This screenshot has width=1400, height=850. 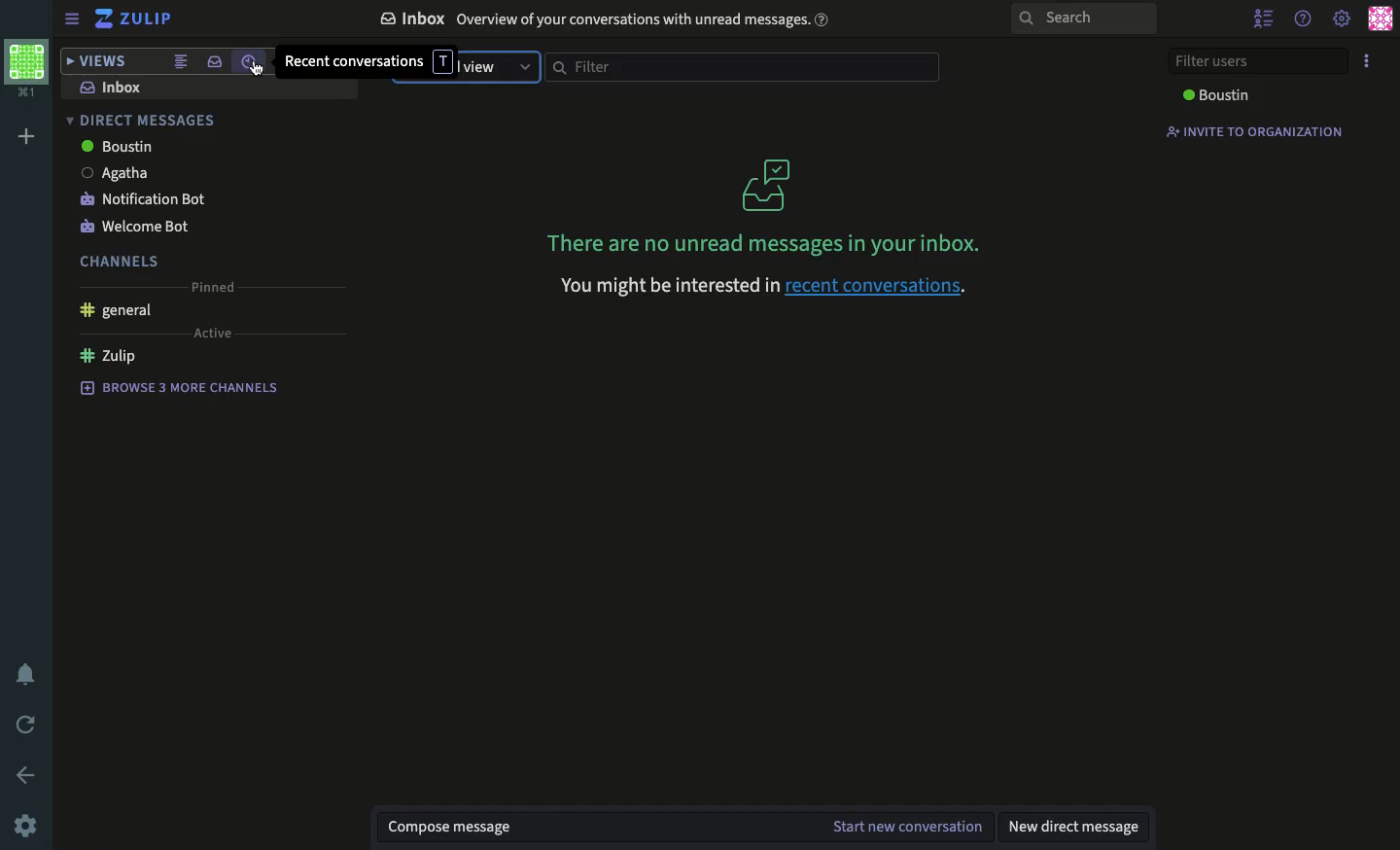 What do you see at coordinates (25, 673) in the screenshot?
I see `notification` at bounding box center [25, 673].